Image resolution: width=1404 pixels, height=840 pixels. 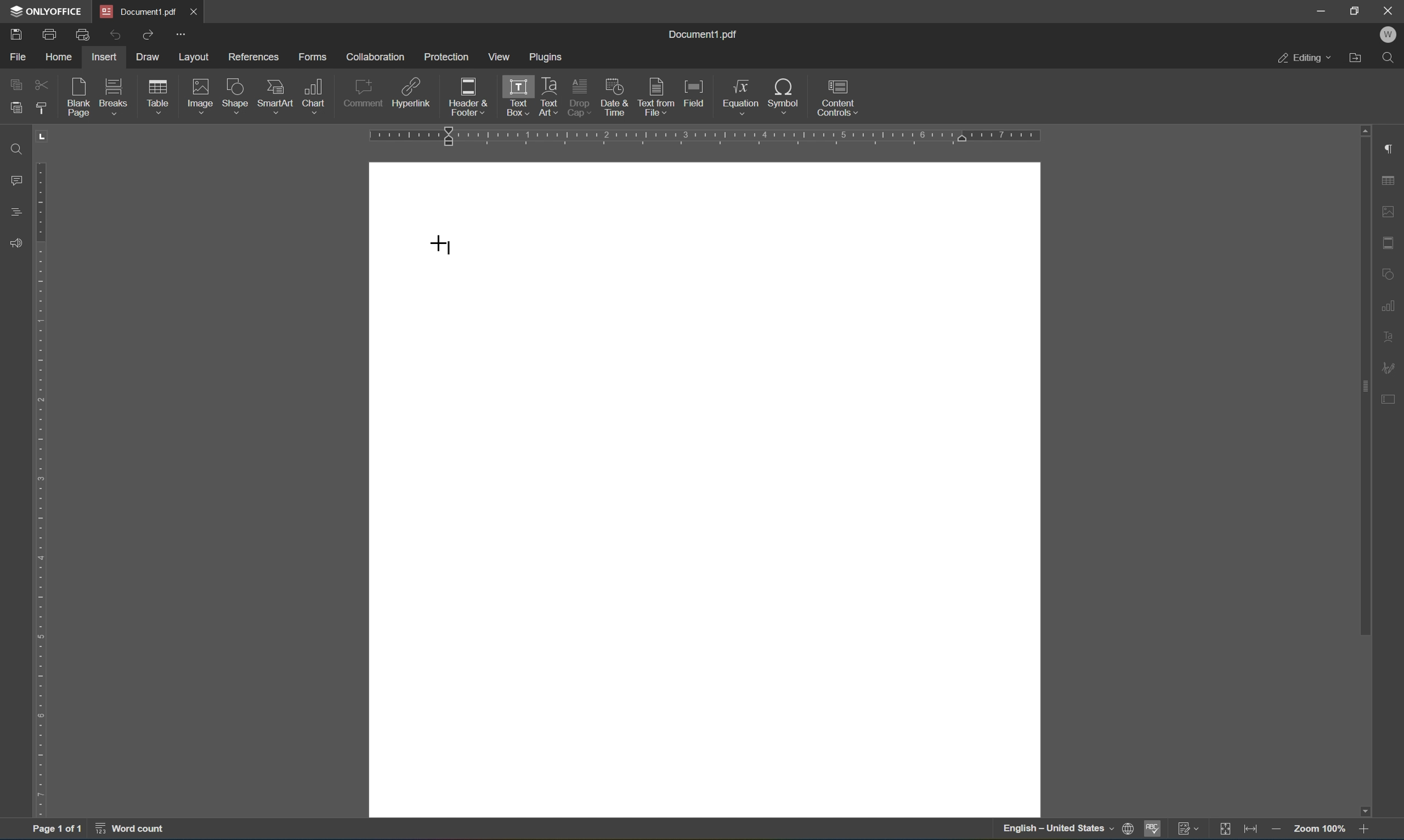 What do you see at coordinates (703, 136) in the screenshot?
I see `ruler` at bounding box center [703, 136].